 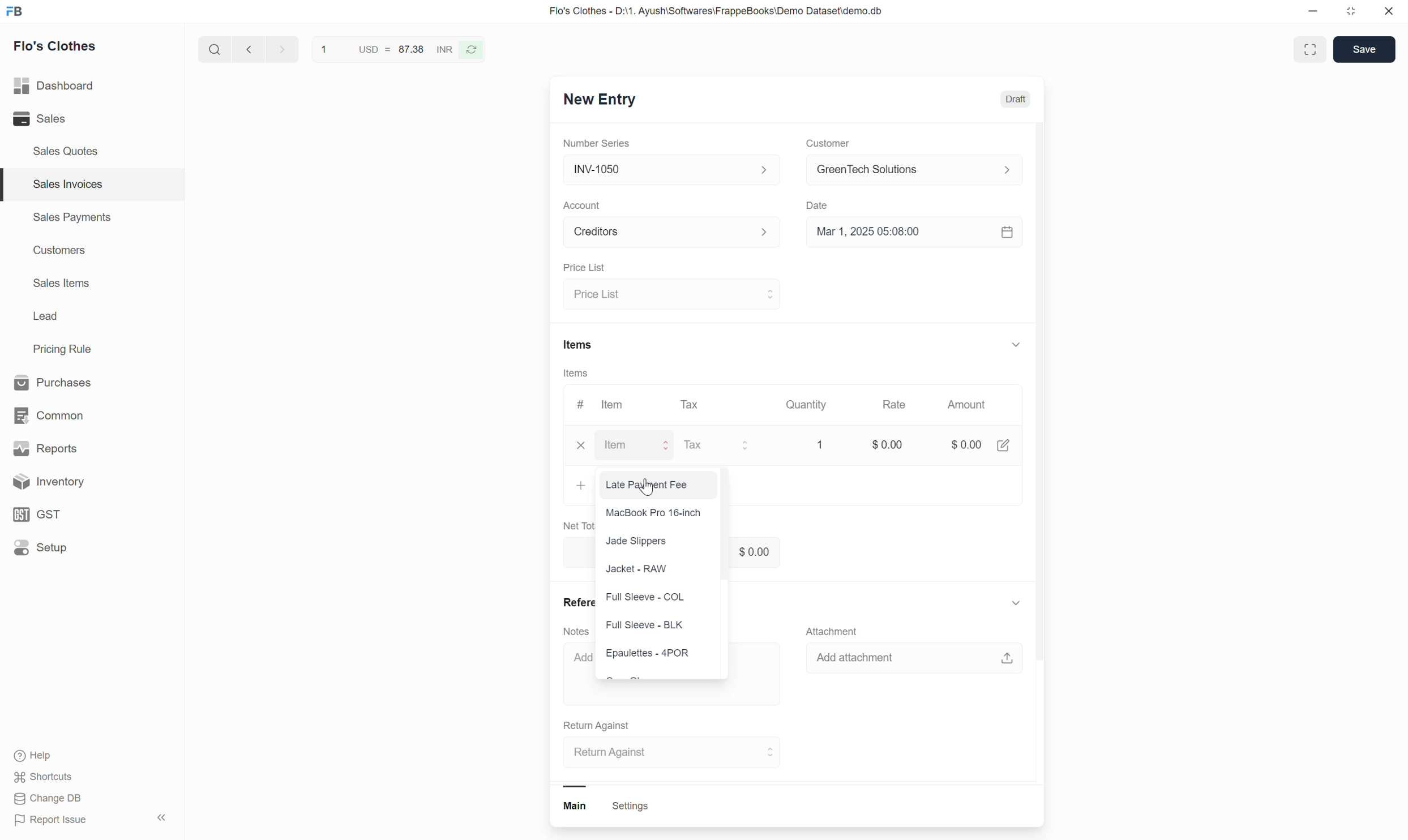 I want to click on New Entry, so click(x=609, y=100).